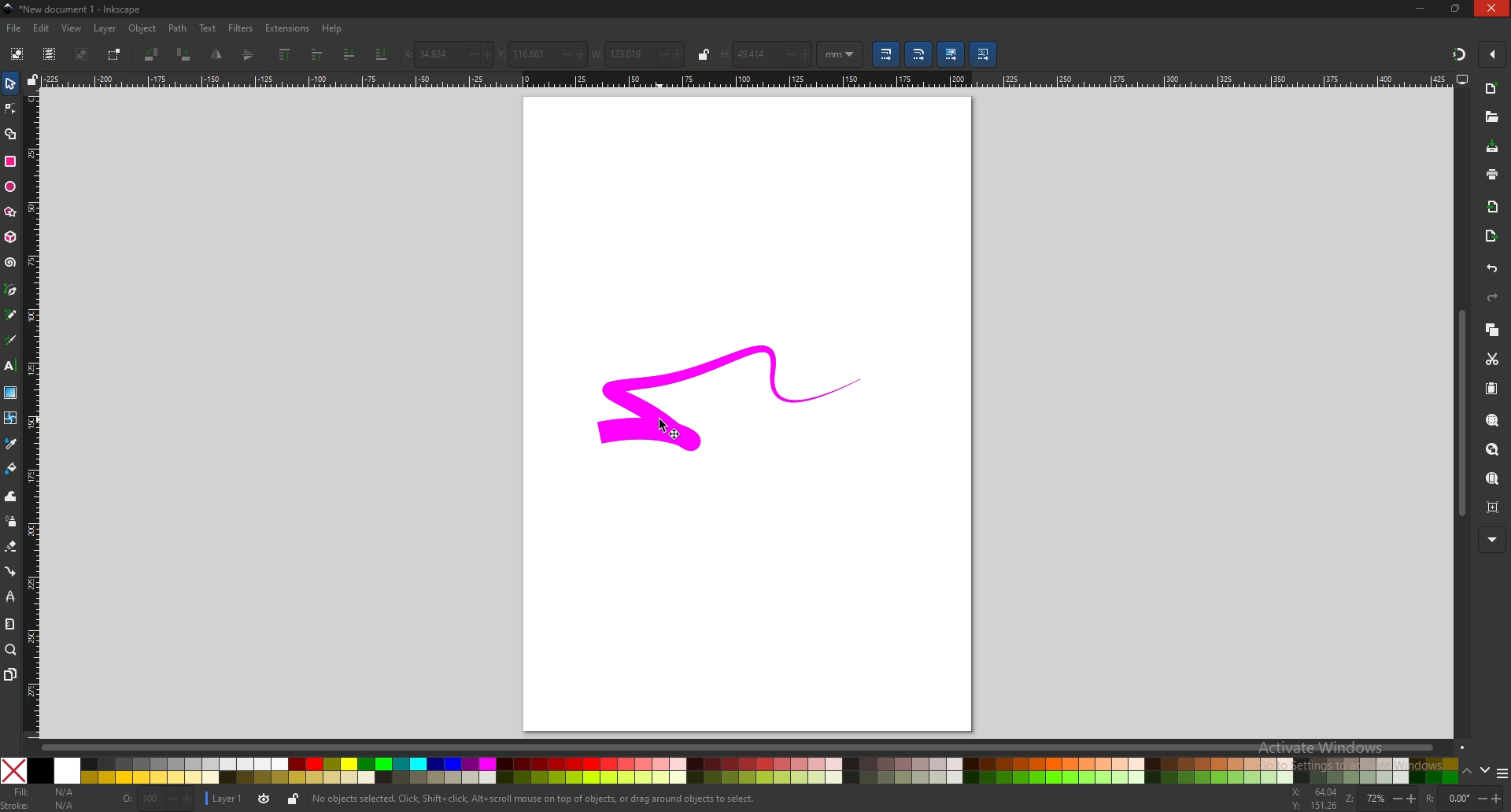 This screenshot has width=1511, height=812. Describe the element at coordinates (146, 28) in the screenshot. I see `object` at that location.